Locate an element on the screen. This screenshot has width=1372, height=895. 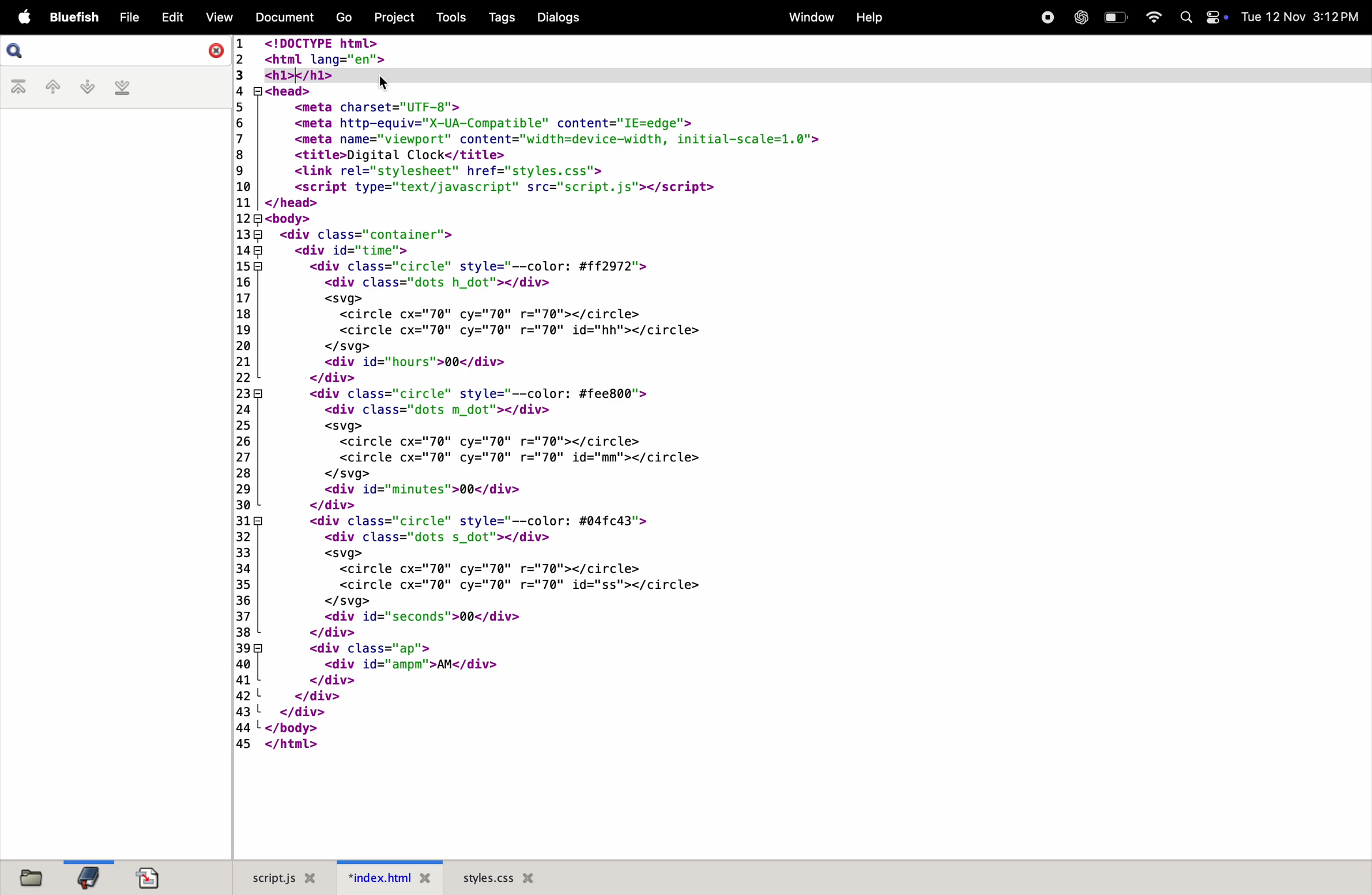
previous book mark is located at coordinates (52, 89).